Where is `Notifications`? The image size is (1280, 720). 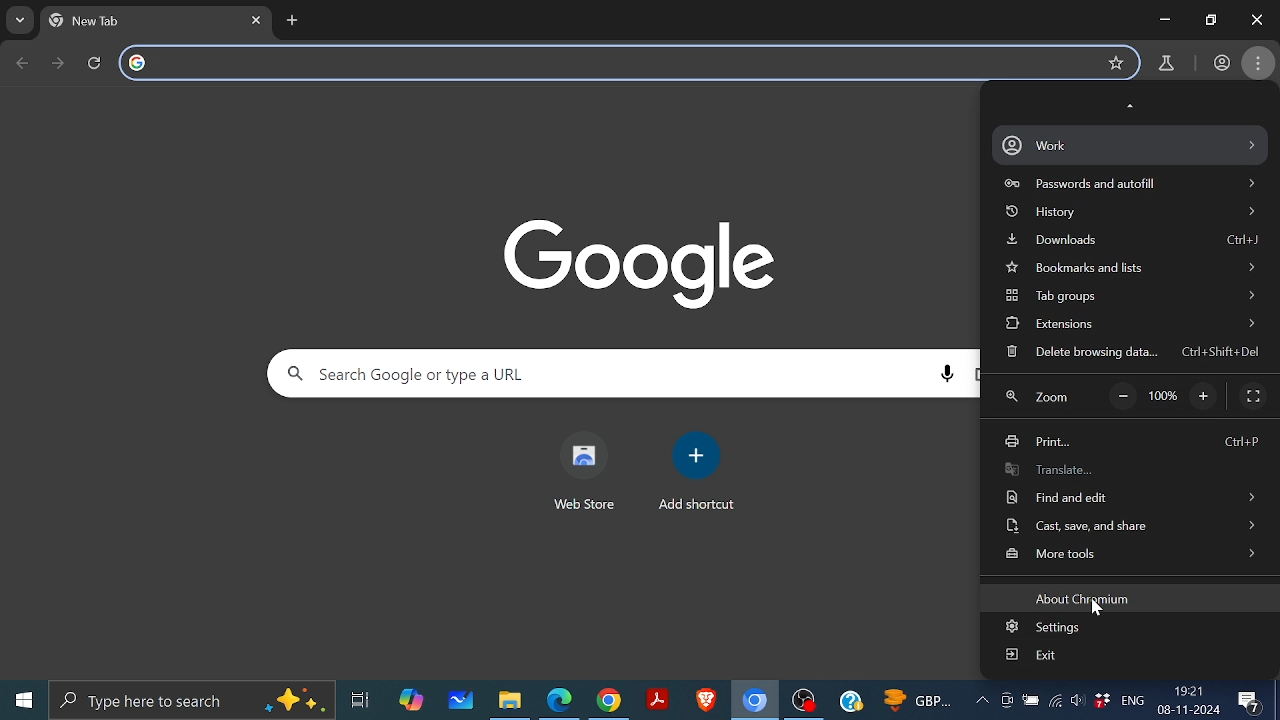
Notifications is located at coordinates (1254, 700).